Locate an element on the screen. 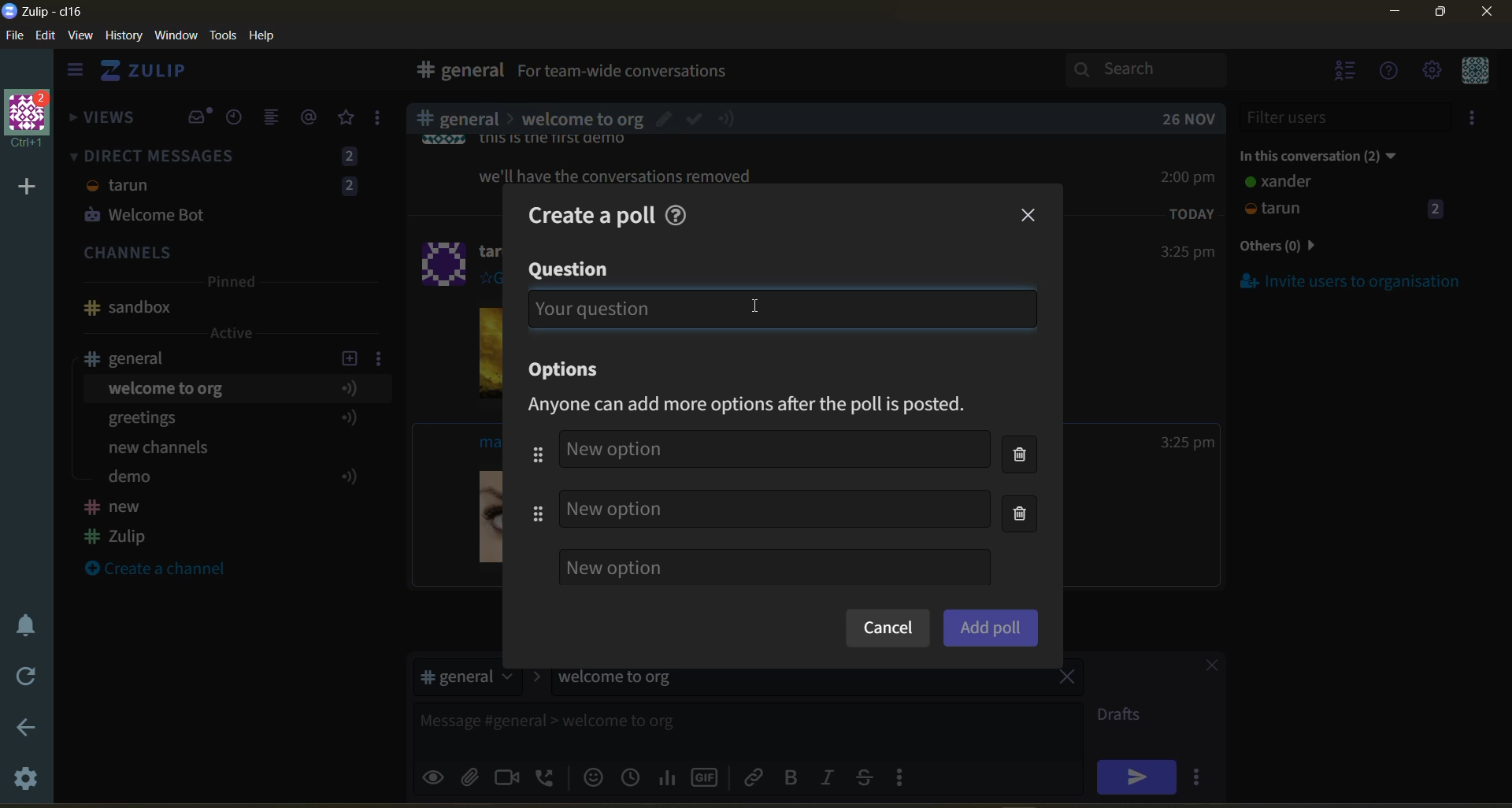 The image size is (1512, 808). strikethrough is located at coordinates (869, 776).